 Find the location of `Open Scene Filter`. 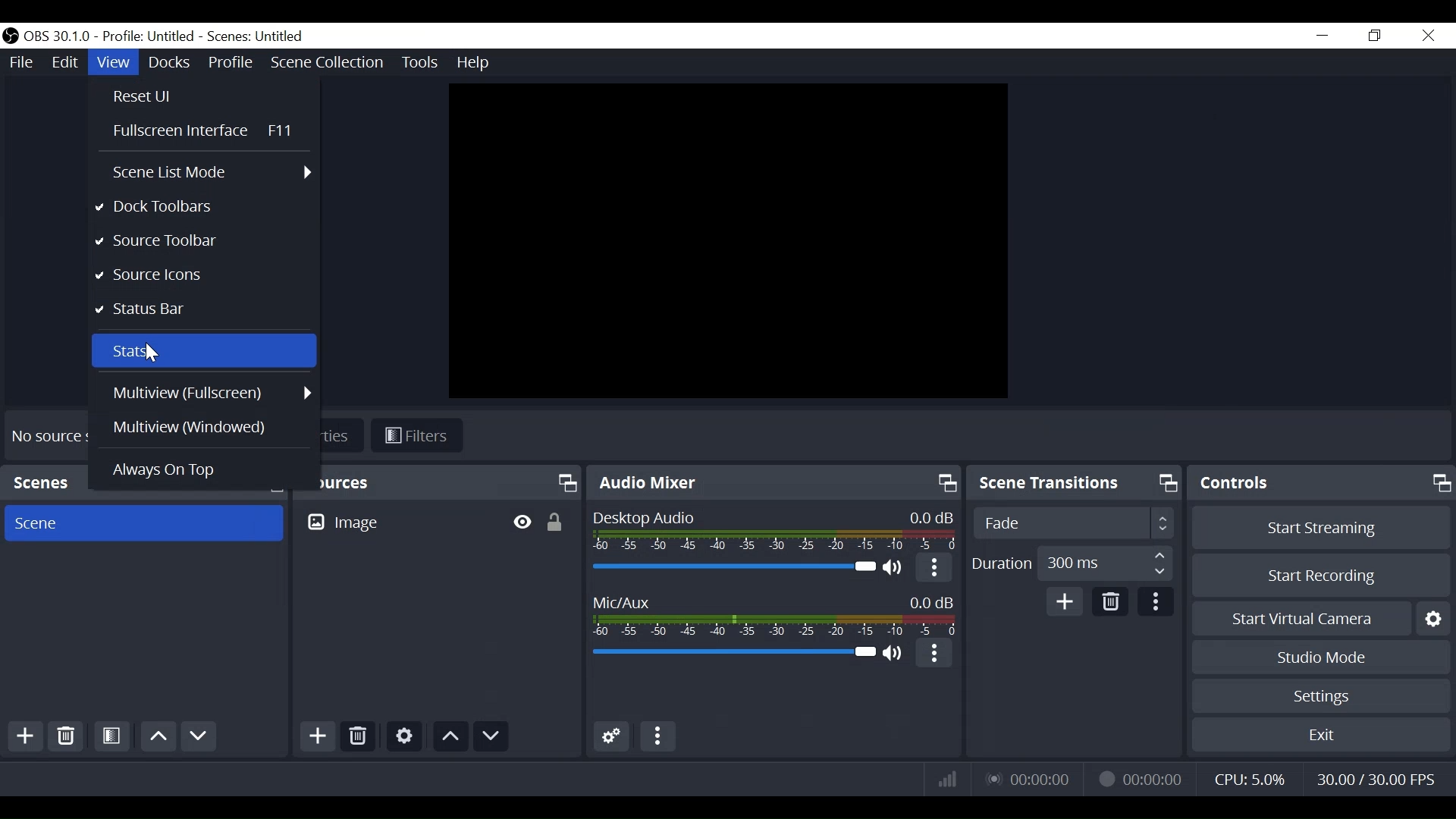

Open Scene Filter is located at coordinates (111, 737).